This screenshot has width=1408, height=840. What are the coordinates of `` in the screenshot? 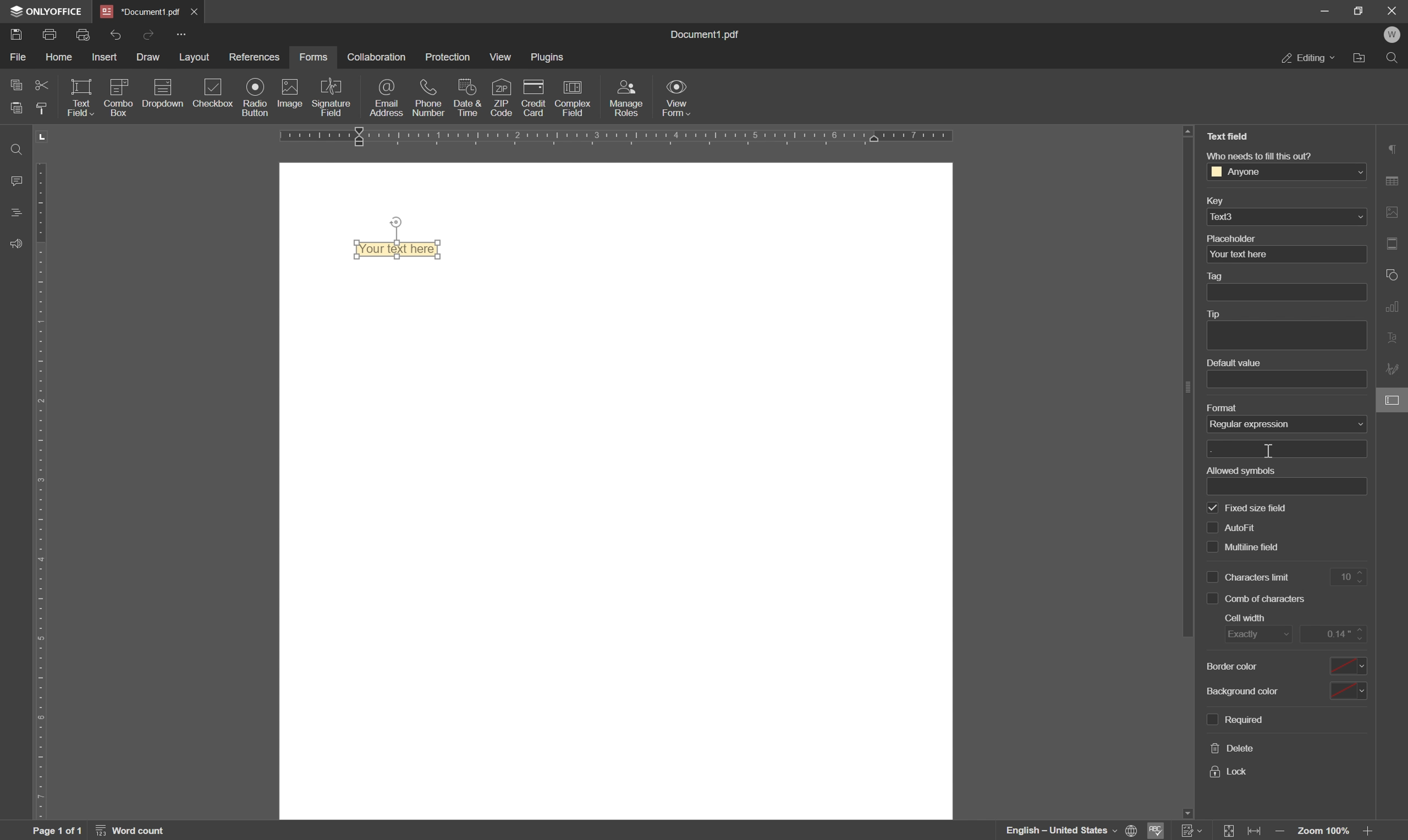 It's located at (710, 35).